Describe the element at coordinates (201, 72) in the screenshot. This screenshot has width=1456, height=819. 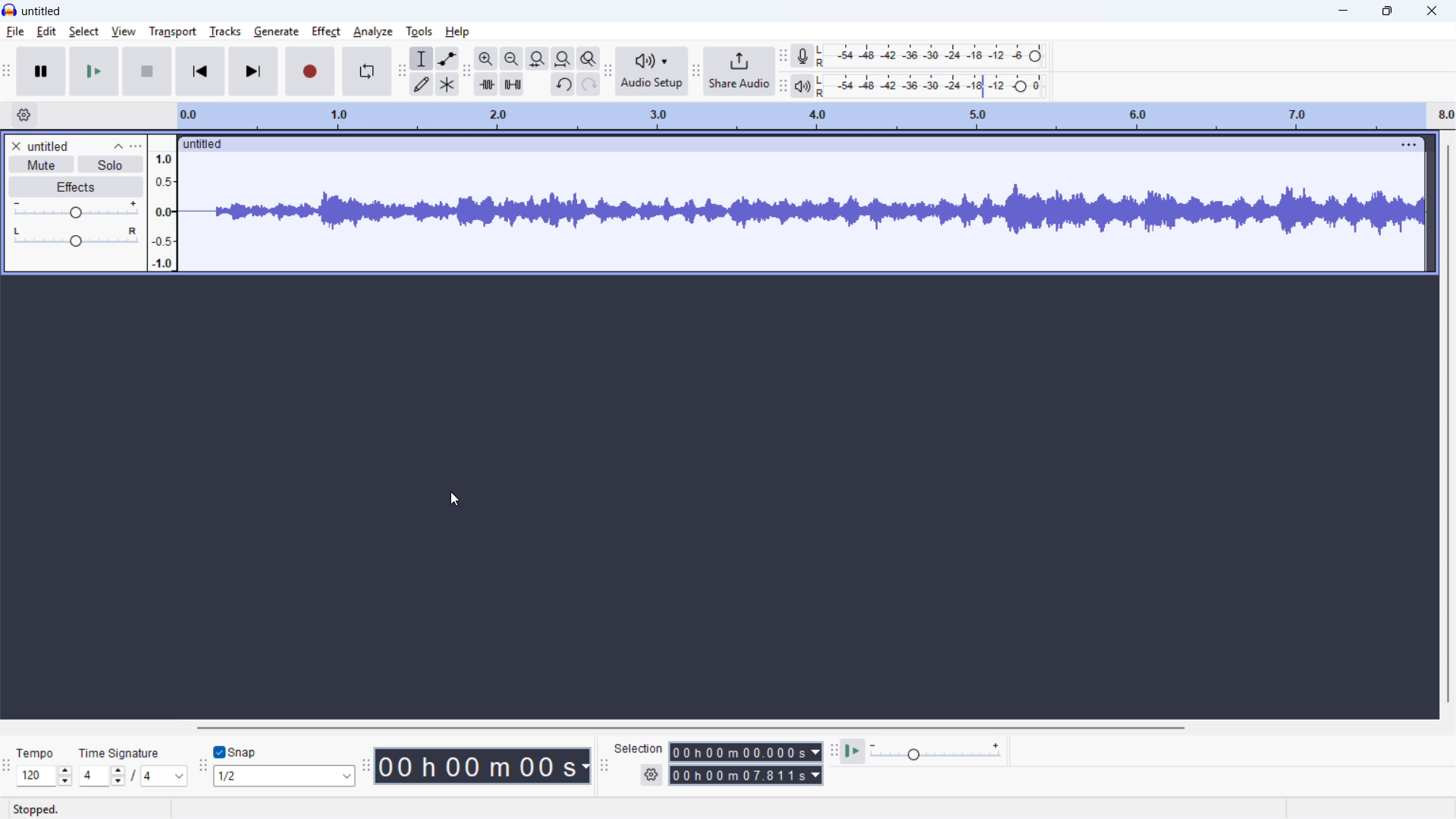
I see `skip to start` at that location.